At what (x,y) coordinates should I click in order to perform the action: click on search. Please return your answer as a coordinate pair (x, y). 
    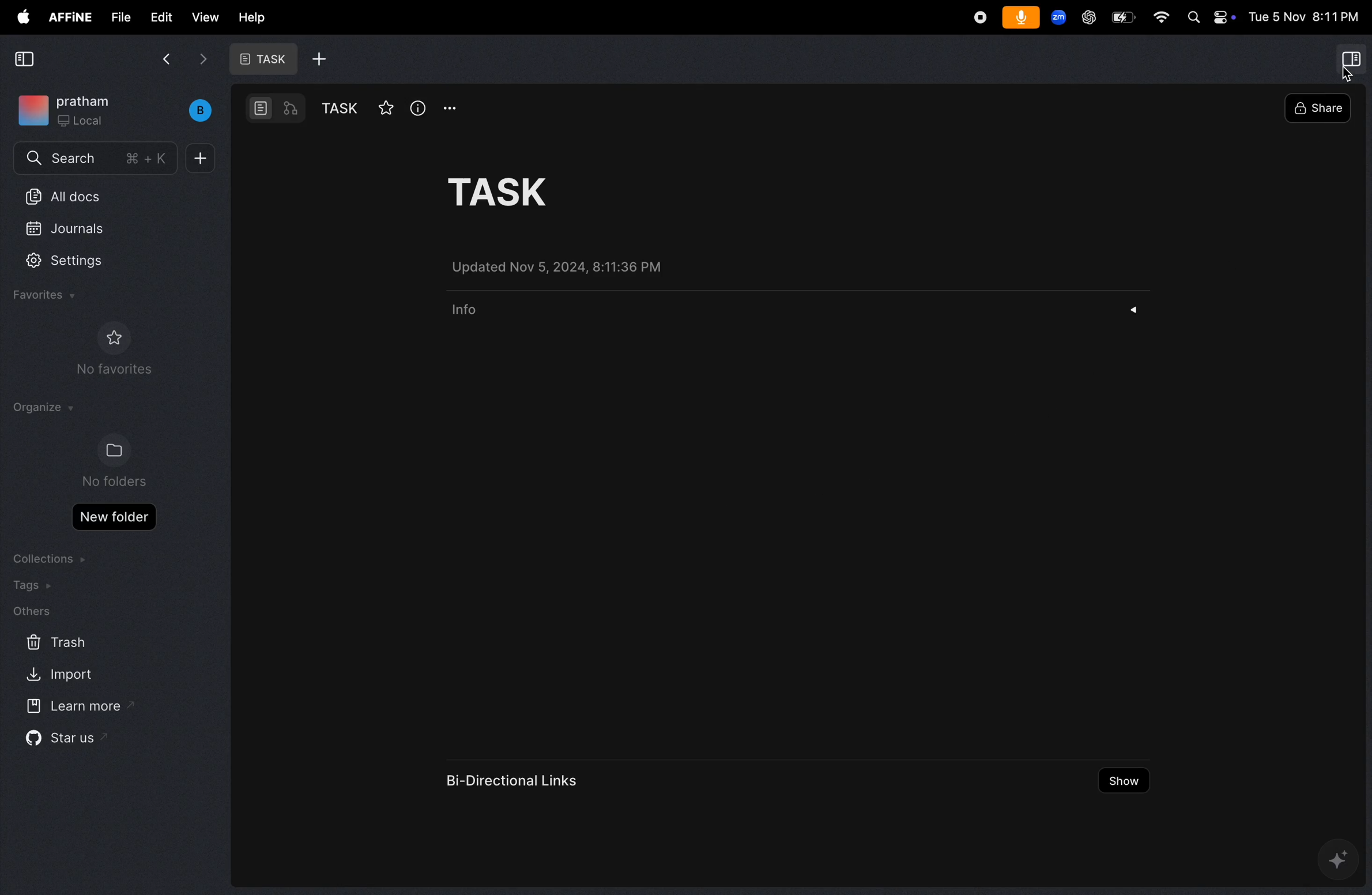
    Looking at the image, I should click on (95, 160).